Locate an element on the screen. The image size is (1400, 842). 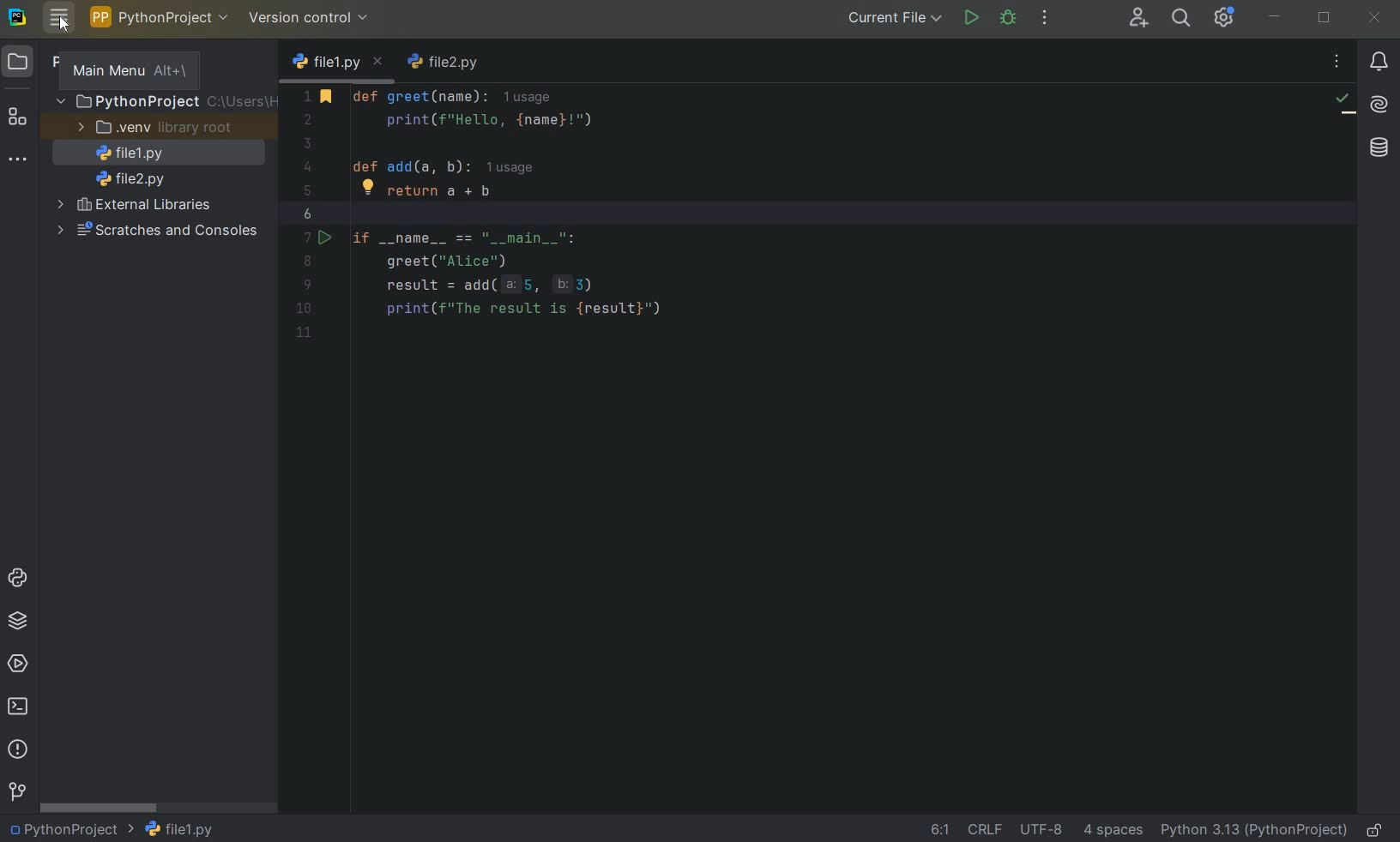
python packages is located at coordinates (18, 621).